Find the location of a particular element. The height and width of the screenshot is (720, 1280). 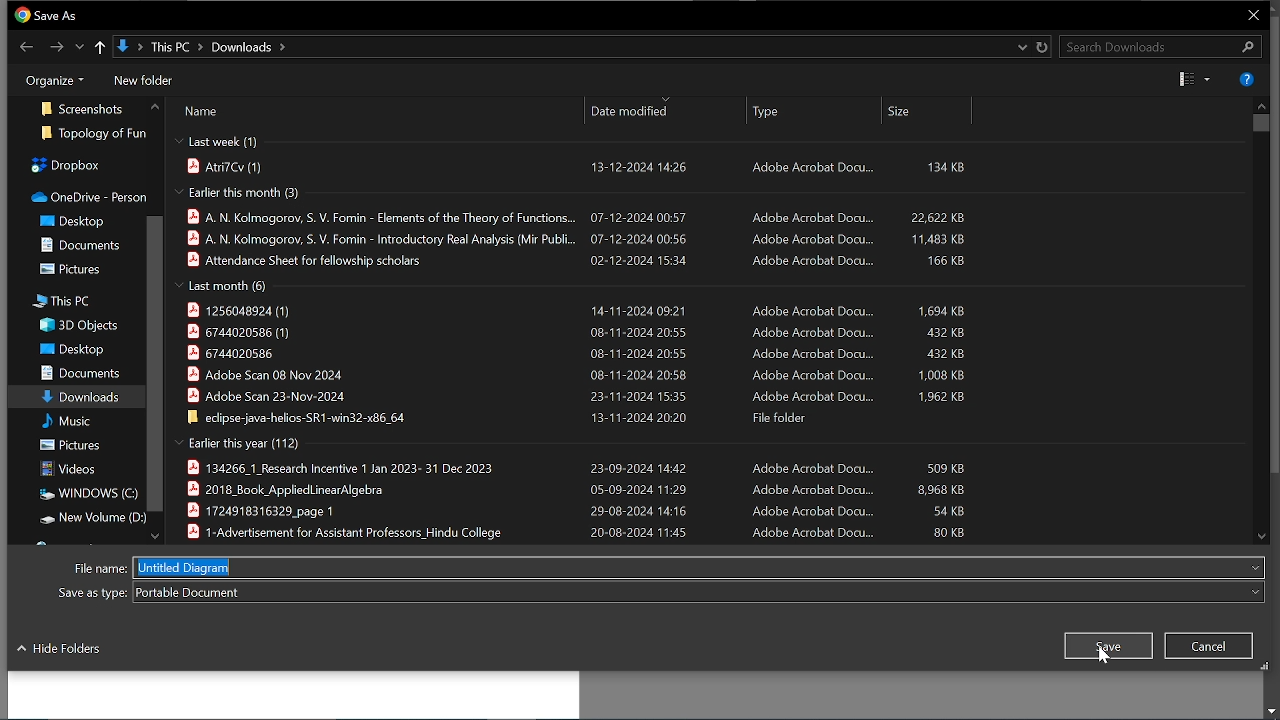

54 KB is located at coordinates (948, 511).